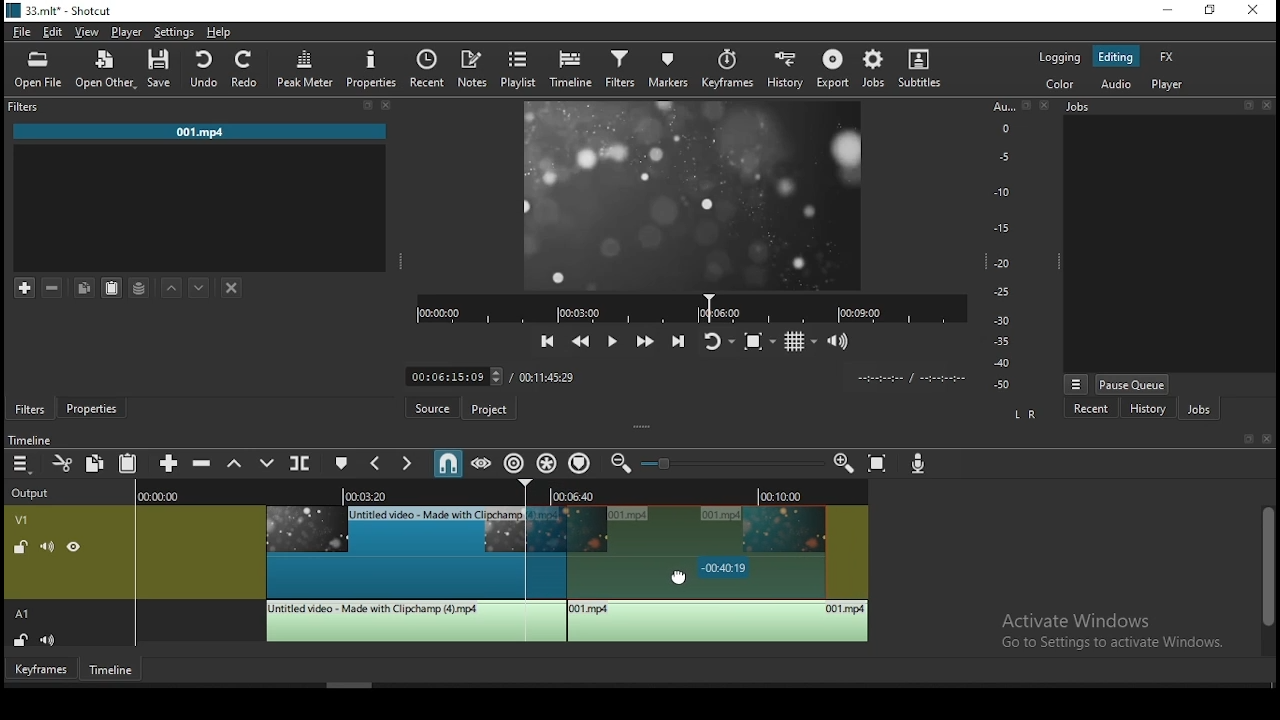  Describe the element at coordinates (757, 339) in the screenshot. I see `toggle zoom` at that location.